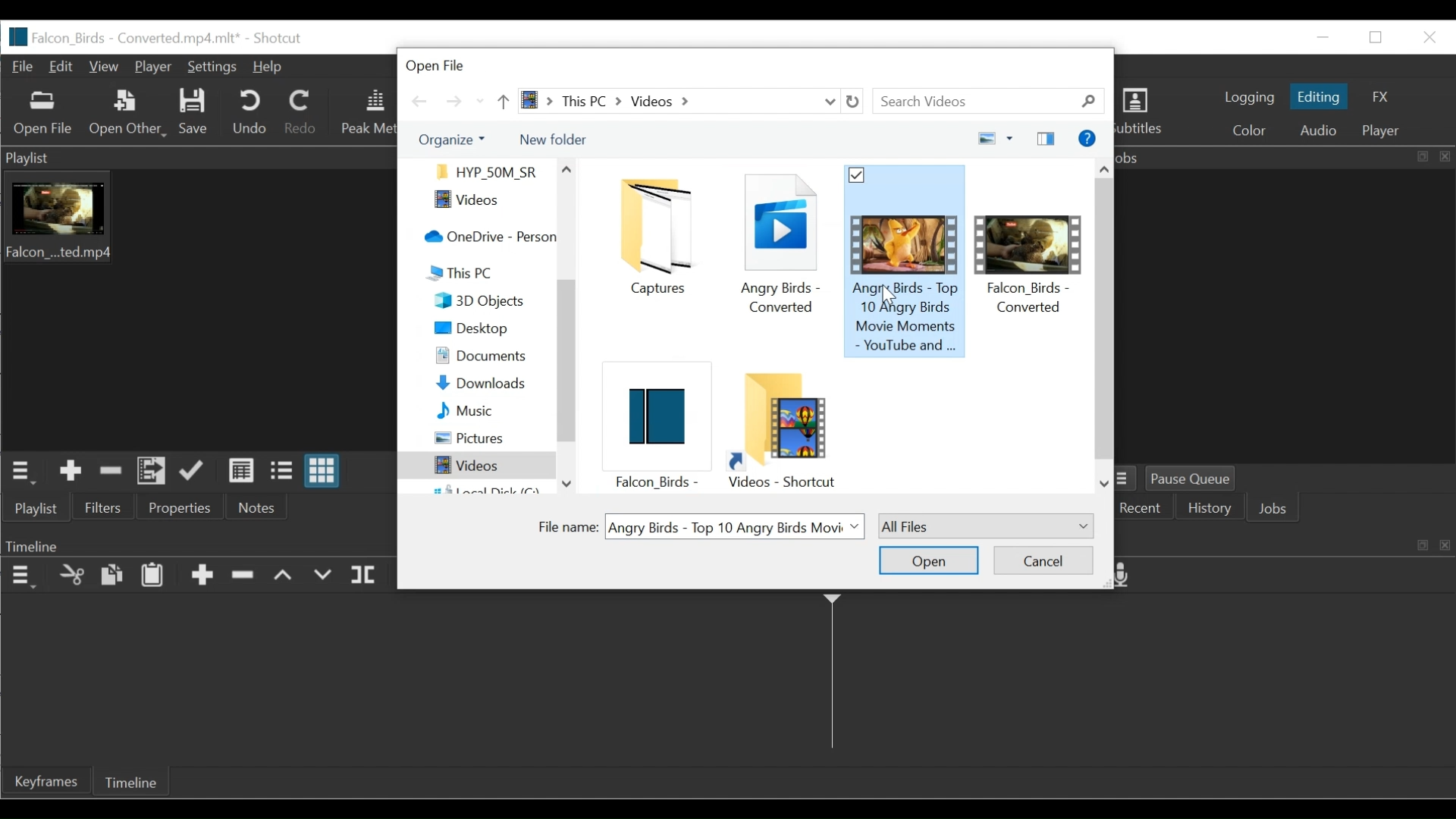  What do you see at coordinates (782, 429) in the screenshot?
I see `Video folder shotcut` at bounding box center [782, 429].